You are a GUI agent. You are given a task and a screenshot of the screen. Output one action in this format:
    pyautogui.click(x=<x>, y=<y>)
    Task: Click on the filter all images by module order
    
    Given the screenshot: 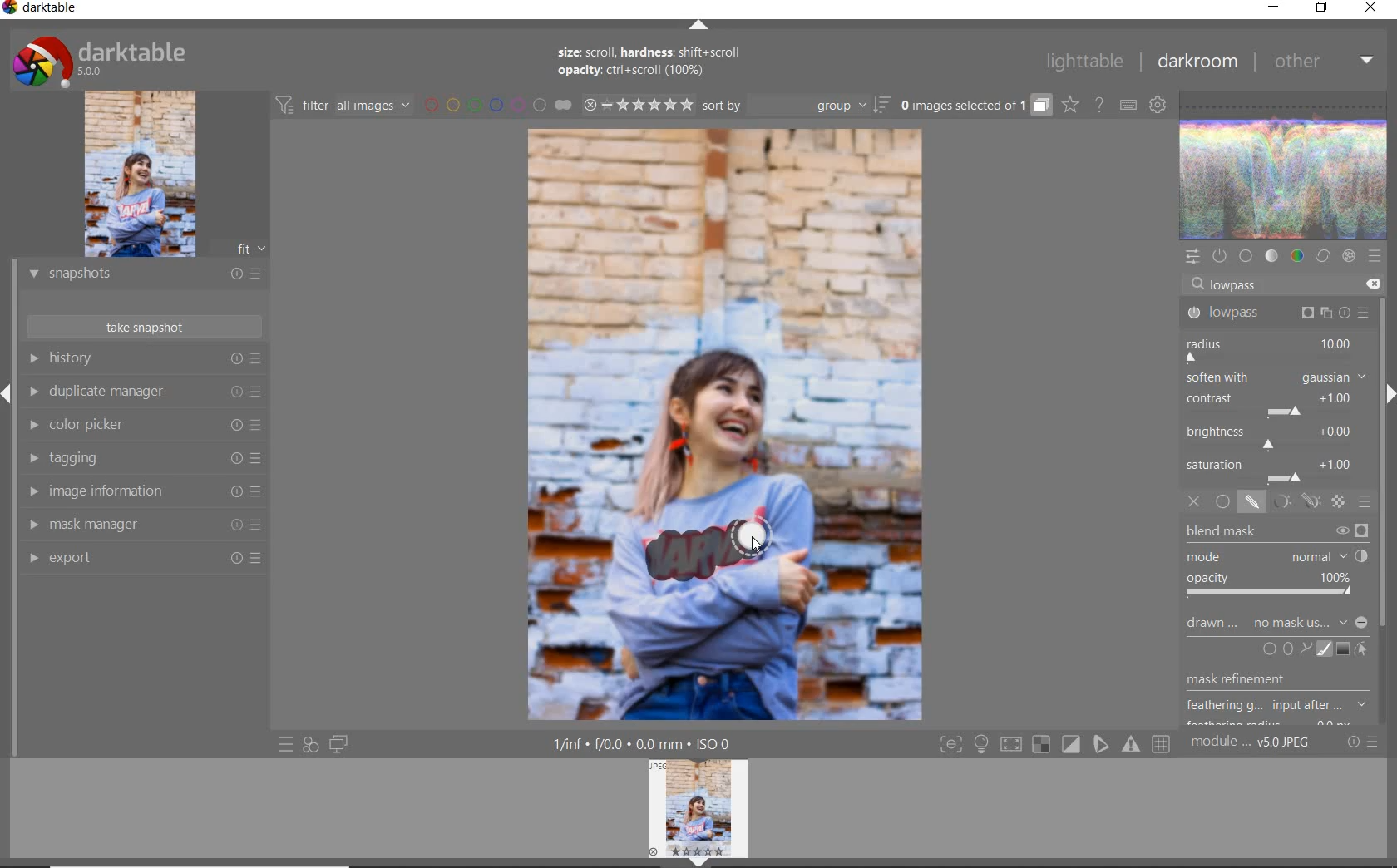 What is the action you would take?
    pyautogui.click(x=344, y=106)
    